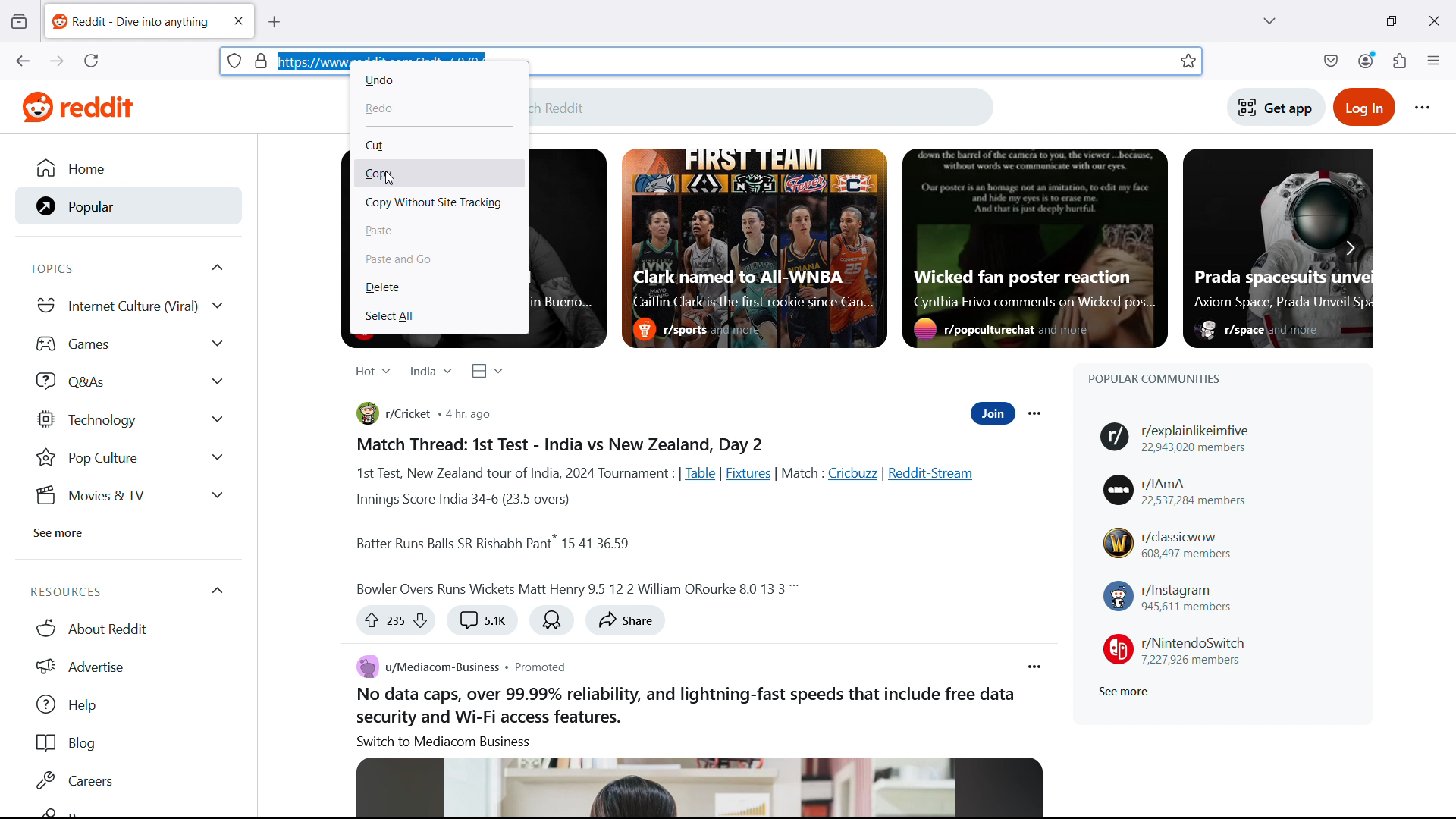  I want to click on Comment, so click(481, 621).